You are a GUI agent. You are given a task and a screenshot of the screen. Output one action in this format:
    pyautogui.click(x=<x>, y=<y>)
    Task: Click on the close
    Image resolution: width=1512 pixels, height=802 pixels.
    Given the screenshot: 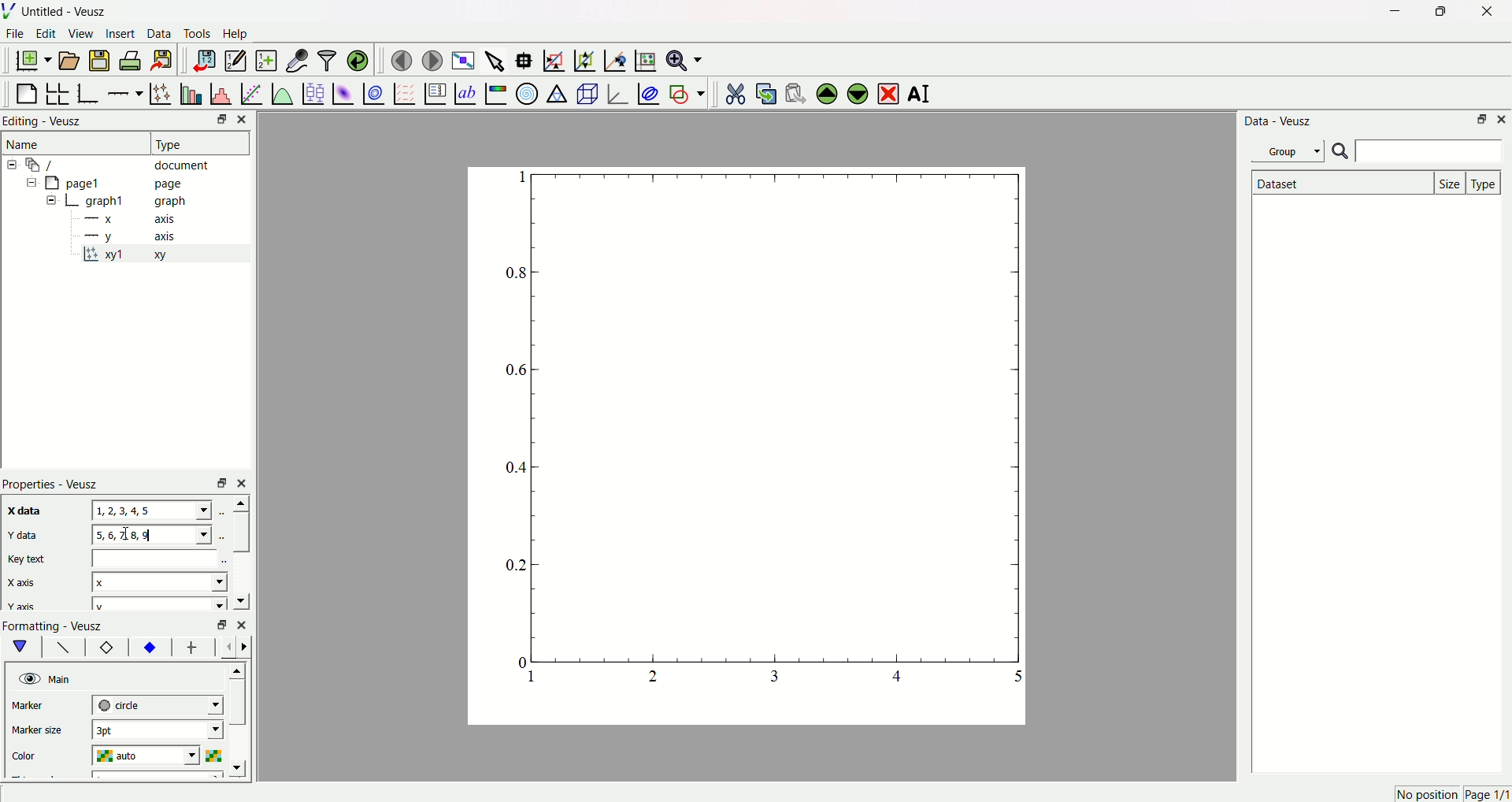 What is the action you would take?
    pyautogui.click(x=242, y=623)
    